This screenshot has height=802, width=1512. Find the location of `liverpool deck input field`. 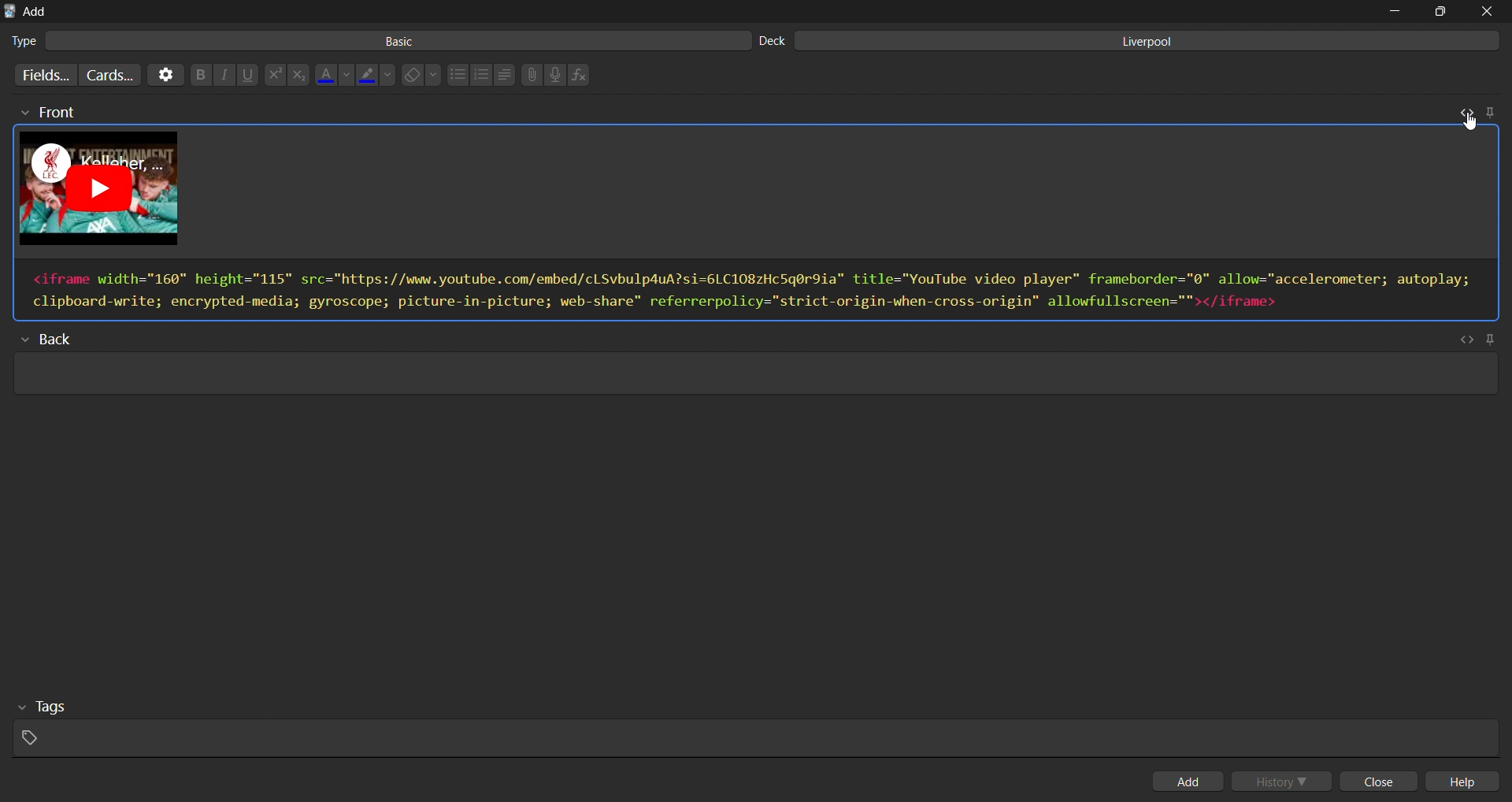

liverpool deck input field is located at coordinates (1132, 41).